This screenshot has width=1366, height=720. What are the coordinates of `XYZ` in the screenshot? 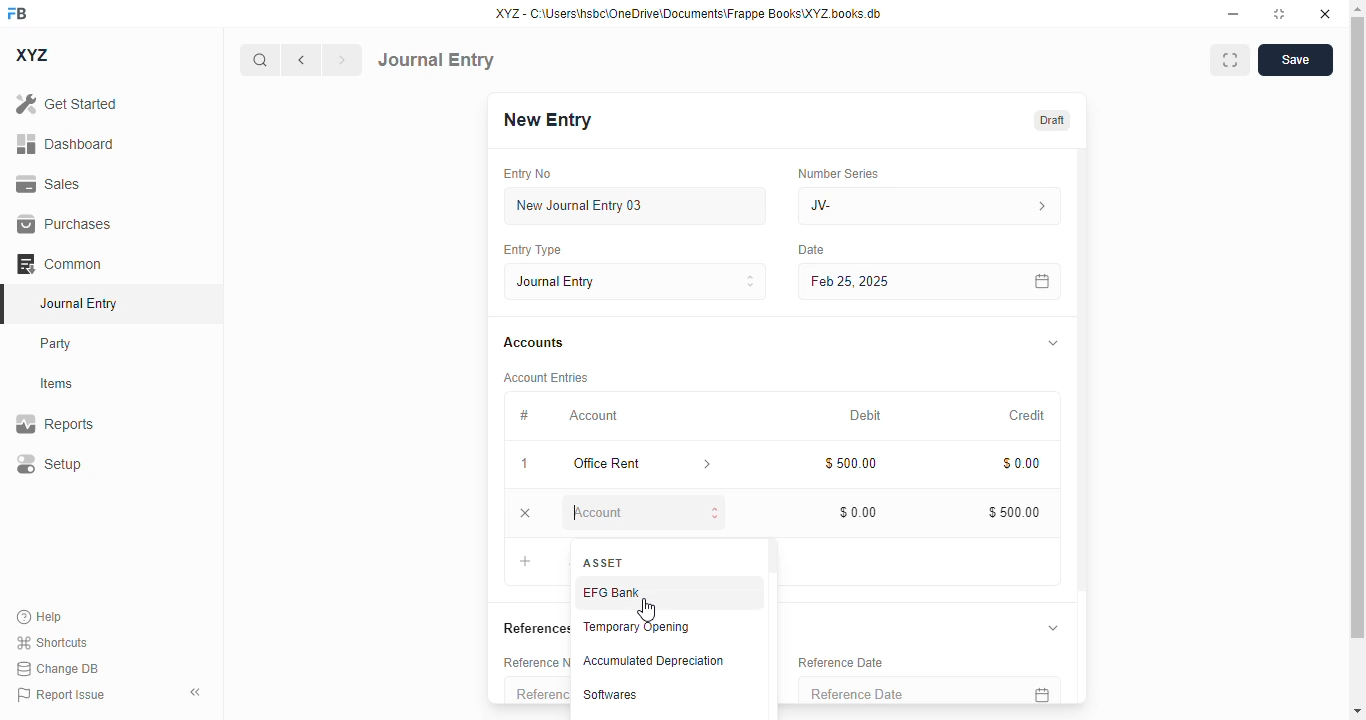 It's located at (33, 55).